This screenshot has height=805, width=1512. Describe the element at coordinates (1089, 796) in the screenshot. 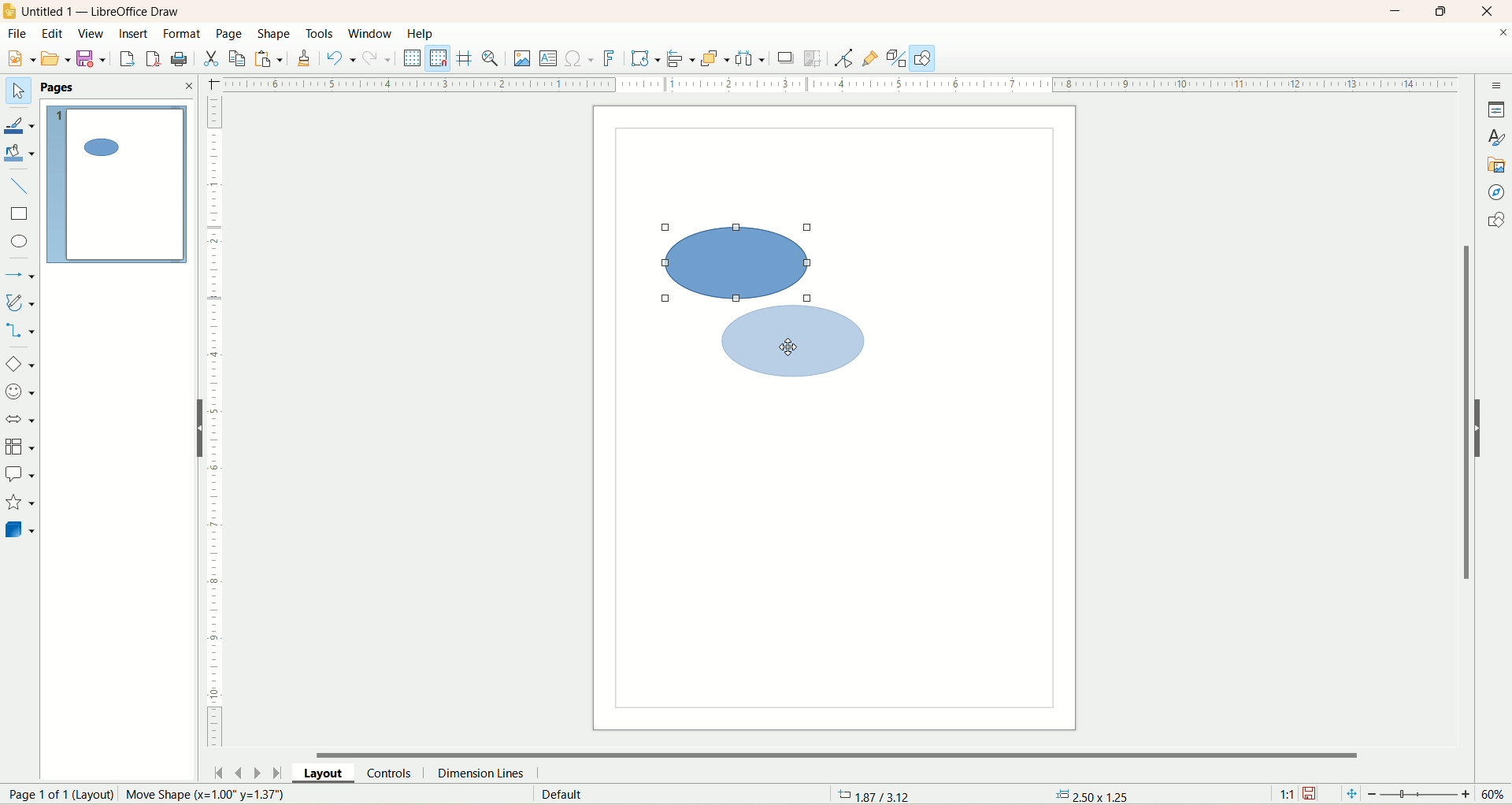

I see `anchor point` at that location.